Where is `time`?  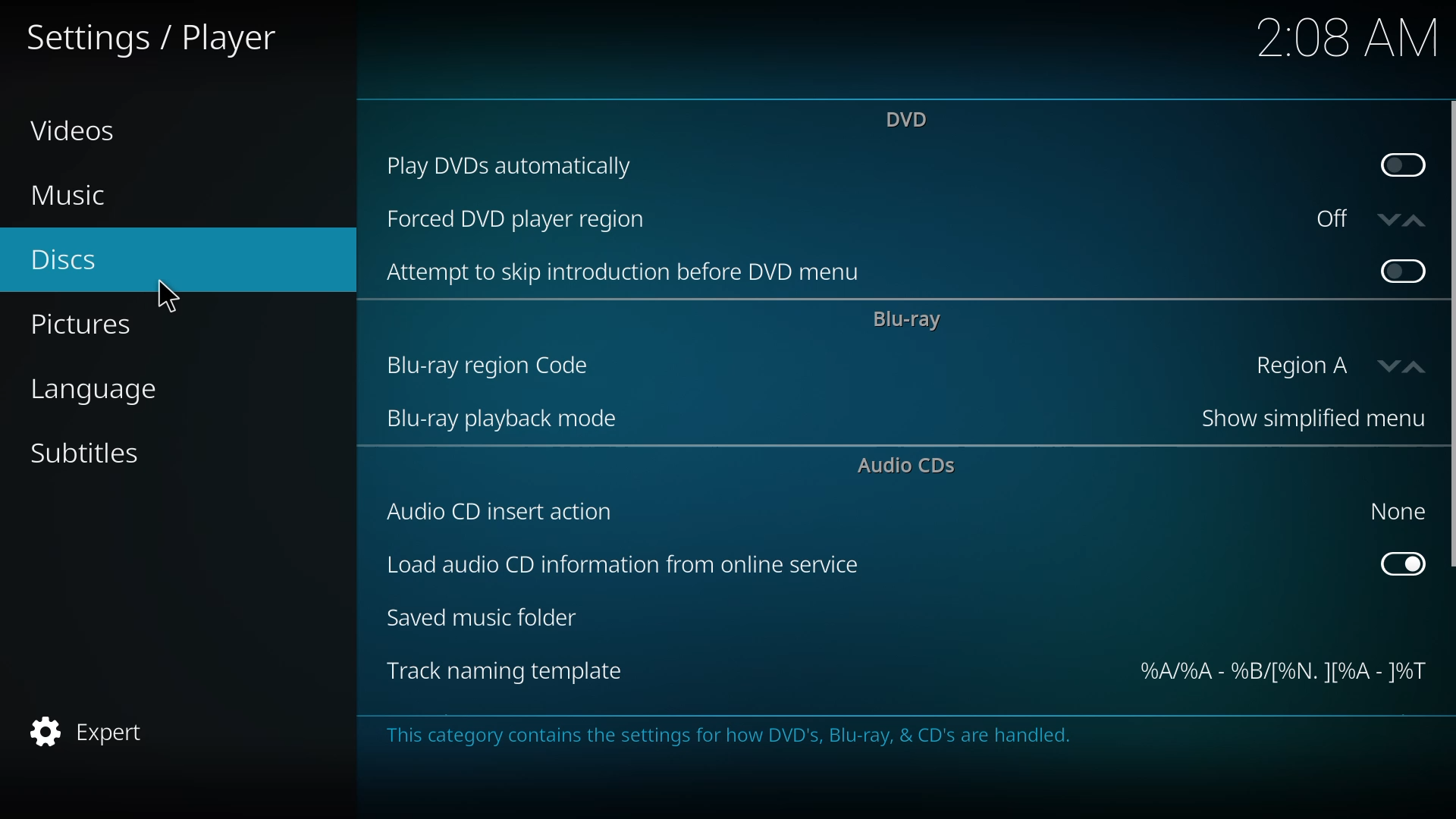
time is located at coordinates (1348, 36).